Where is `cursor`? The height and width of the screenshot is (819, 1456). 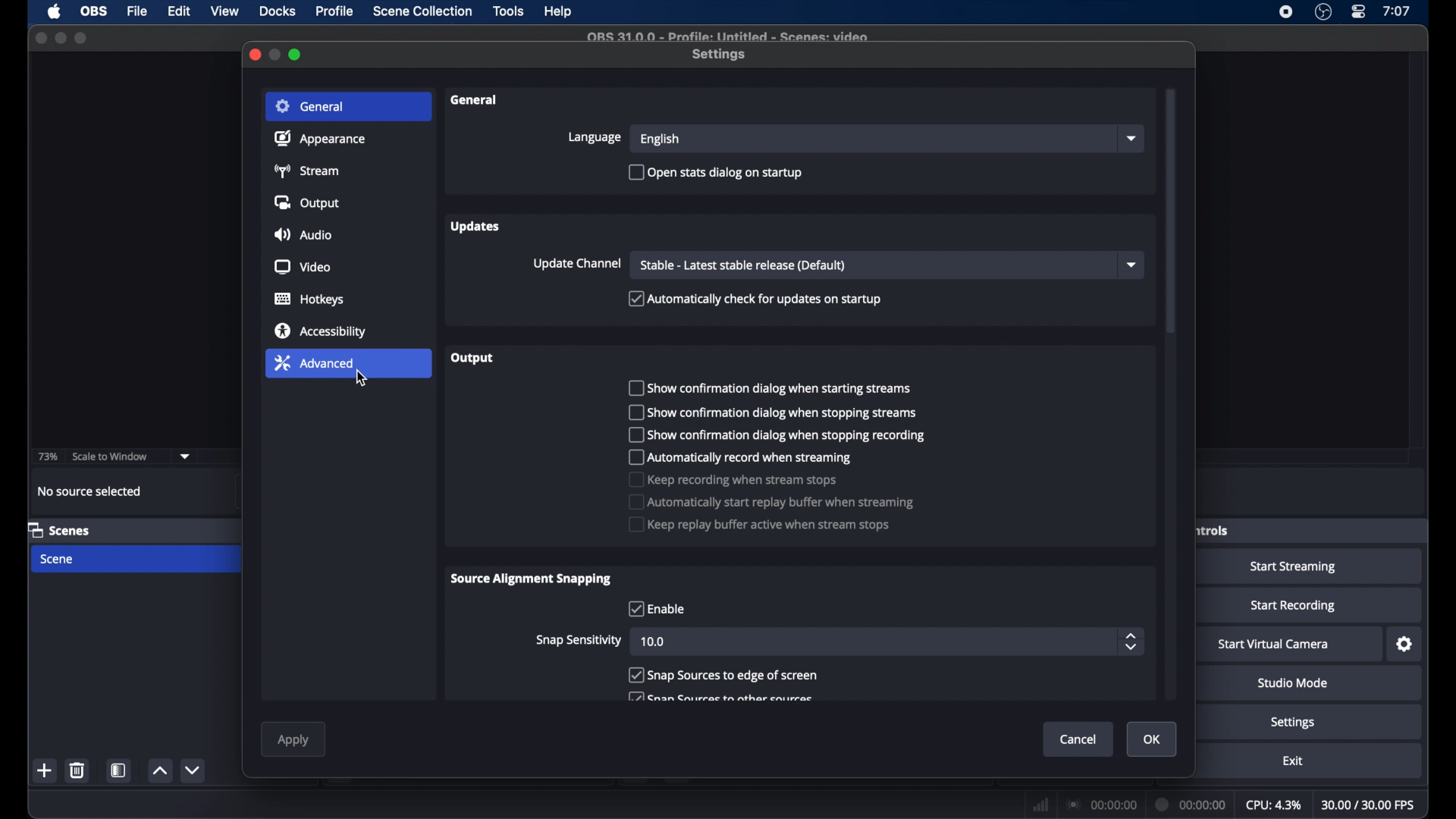
cursor is located at coordinates (362, 379).